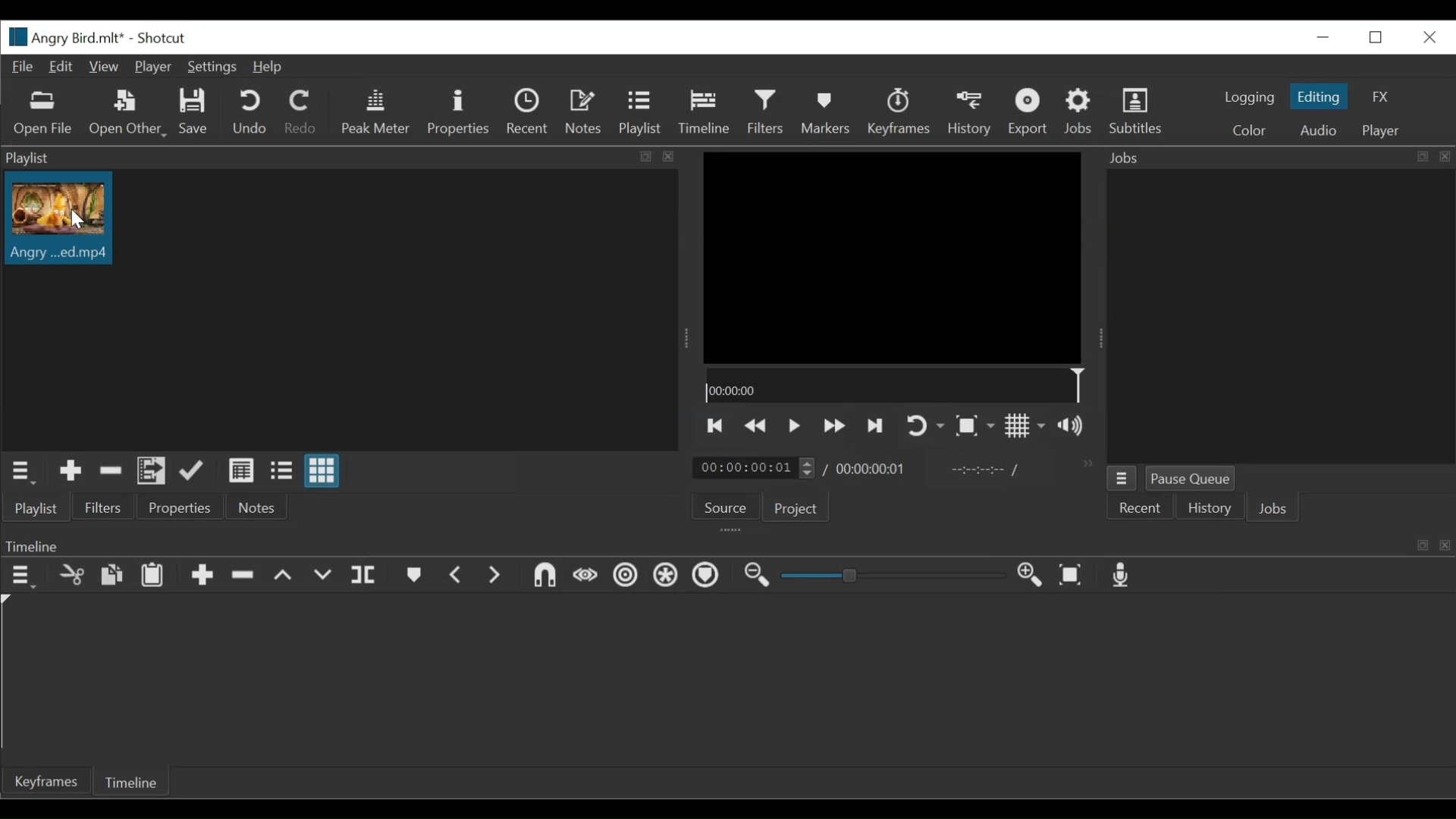  What do you see at coordinates (102, 68) in the screenshot?
I see `` at bounding box center [102, 68].